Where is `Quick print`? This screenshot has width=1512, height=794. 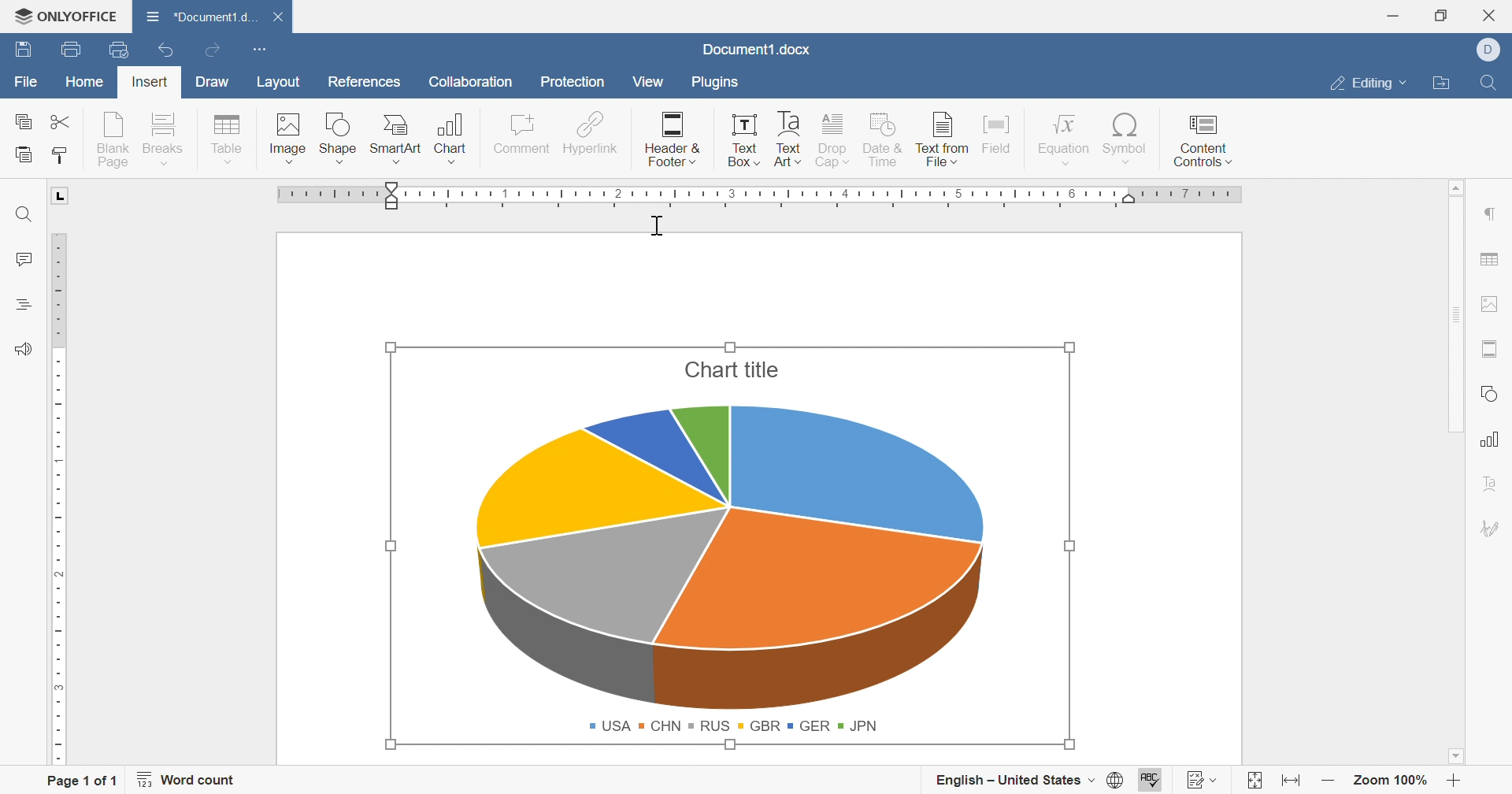 Quick print is located at coordinates (117, 50).